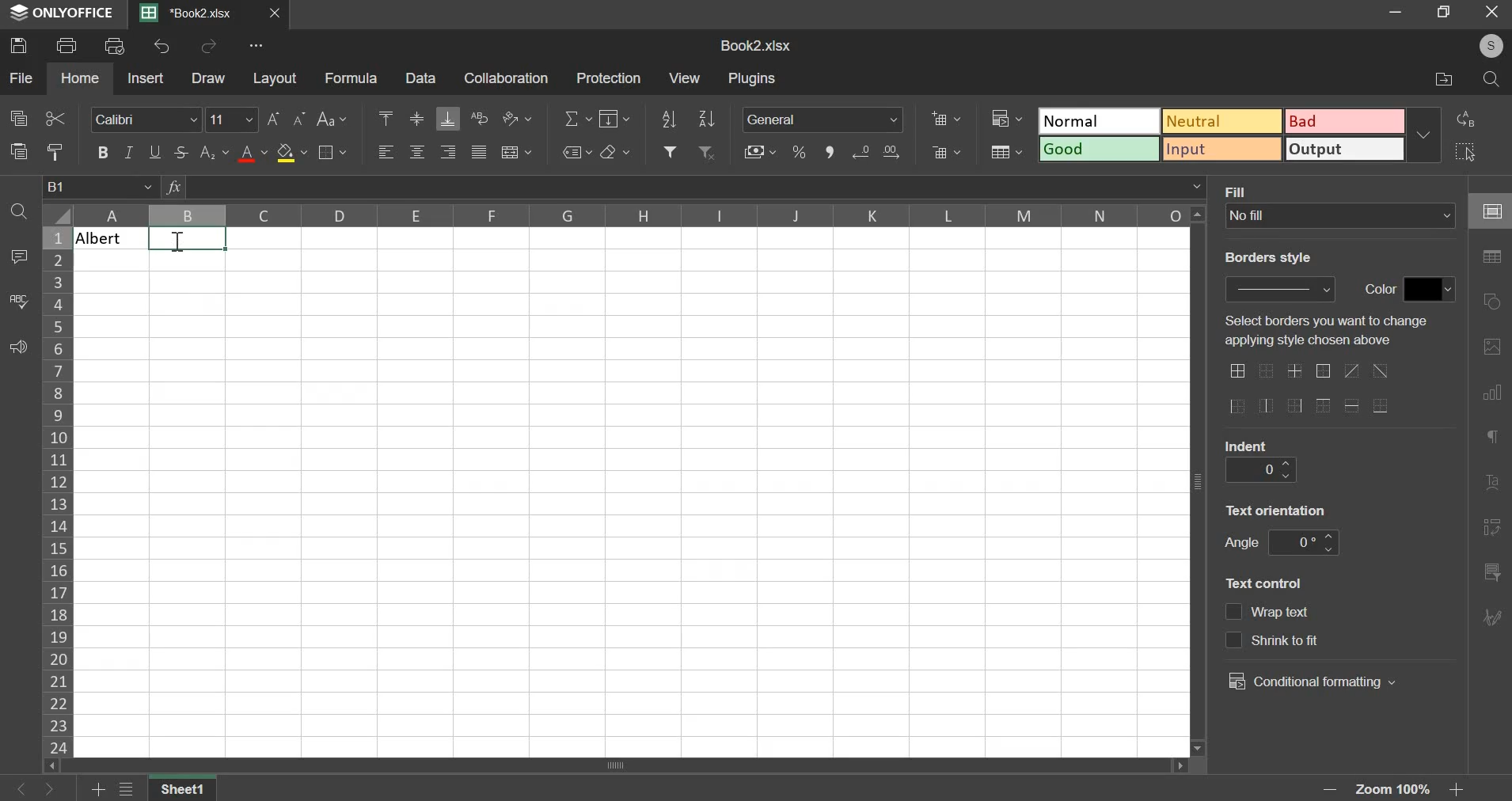 The image size is (1512, 801). What do you see at coordinates (1495, 344) in the screenshot?
I see `image settings` at bounding box center [1495, 344].